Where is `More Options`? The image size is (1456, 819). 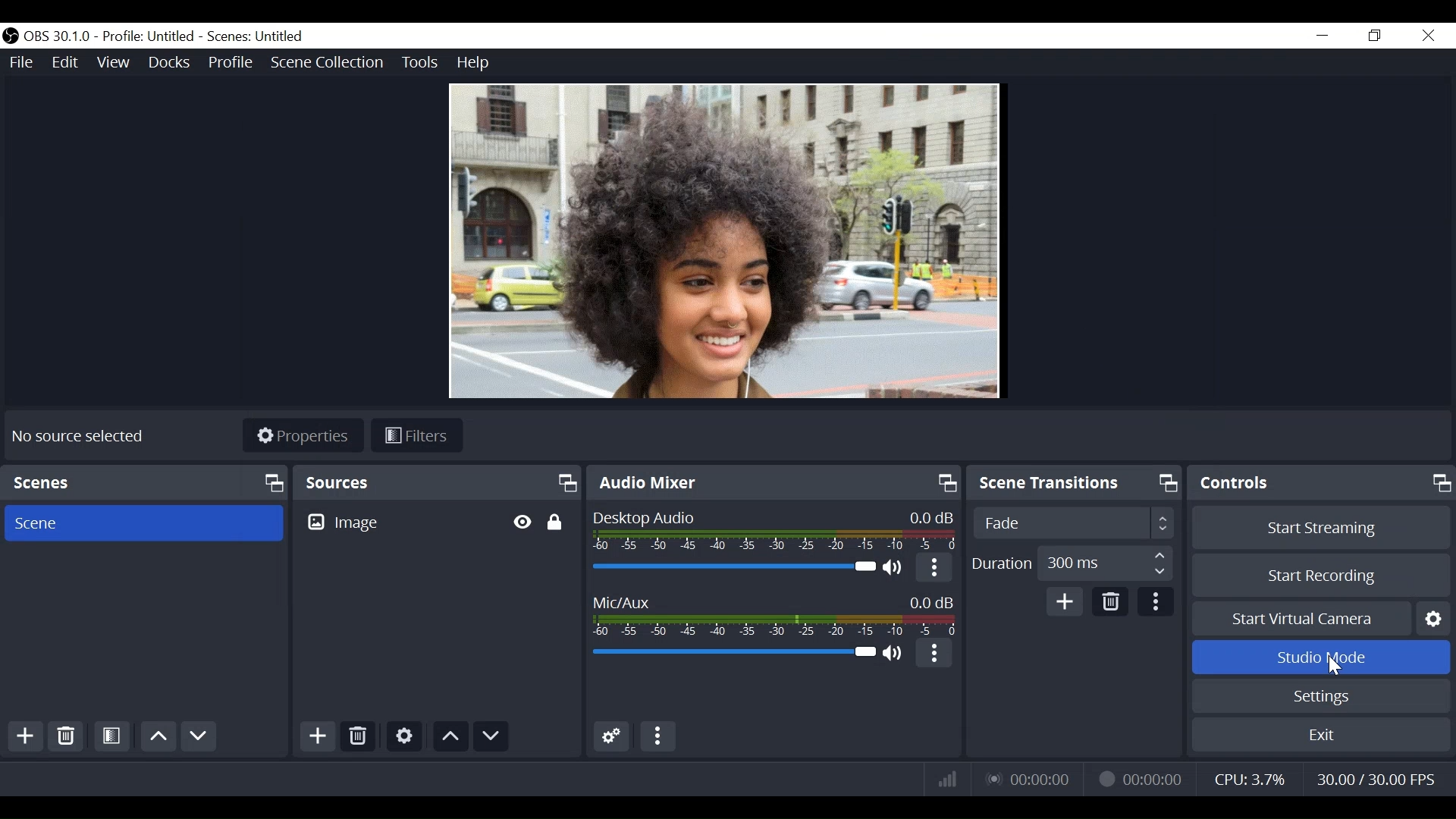 More Options is located at coordinates (1155, 603).